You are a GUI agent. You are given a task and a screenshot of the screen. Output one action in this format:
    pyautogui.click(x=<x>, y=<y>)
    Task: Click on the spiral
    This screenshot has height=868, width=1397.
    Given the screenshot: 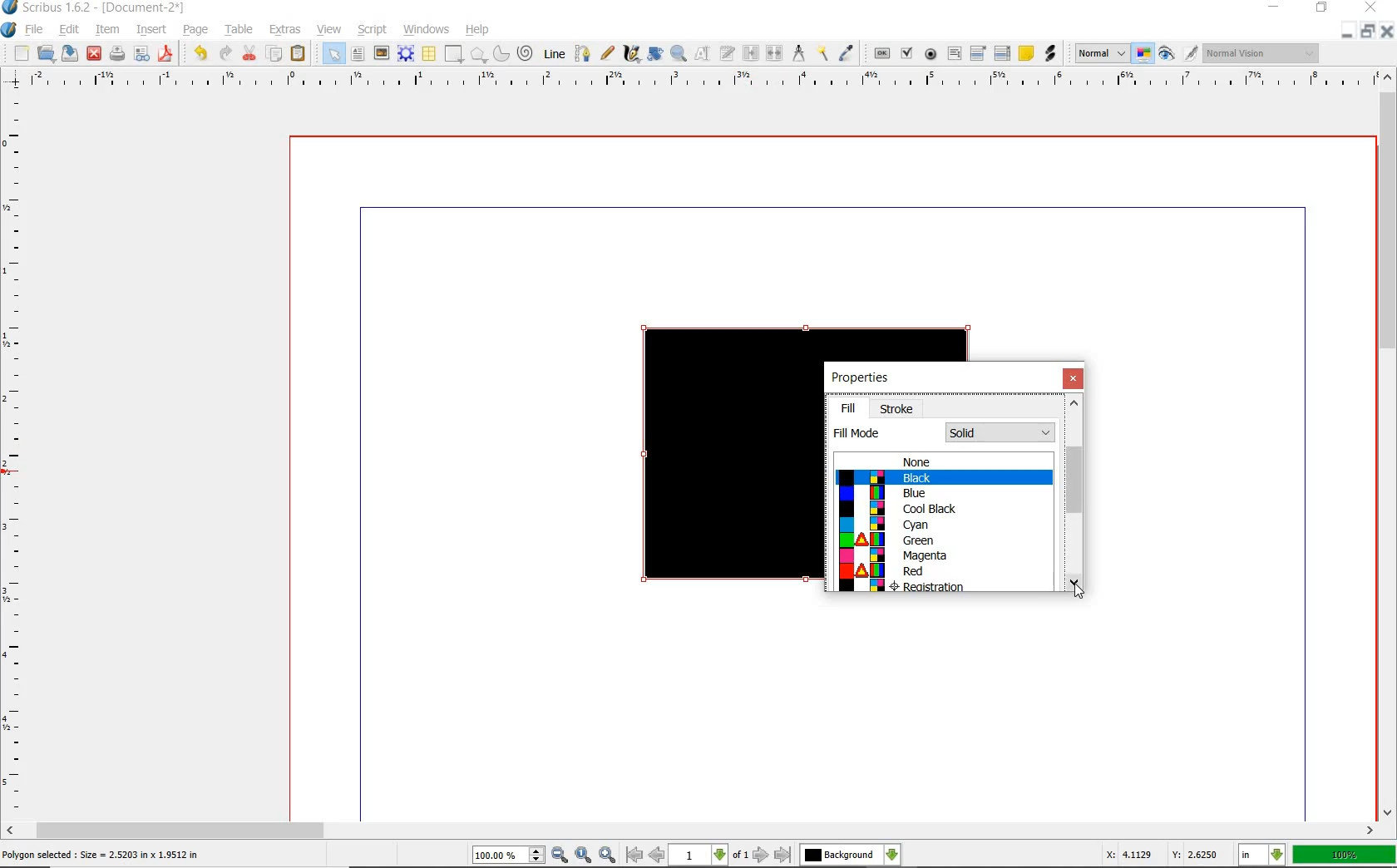 What is the action you would take?
    pyautogui.click(x=527, y=55)
    